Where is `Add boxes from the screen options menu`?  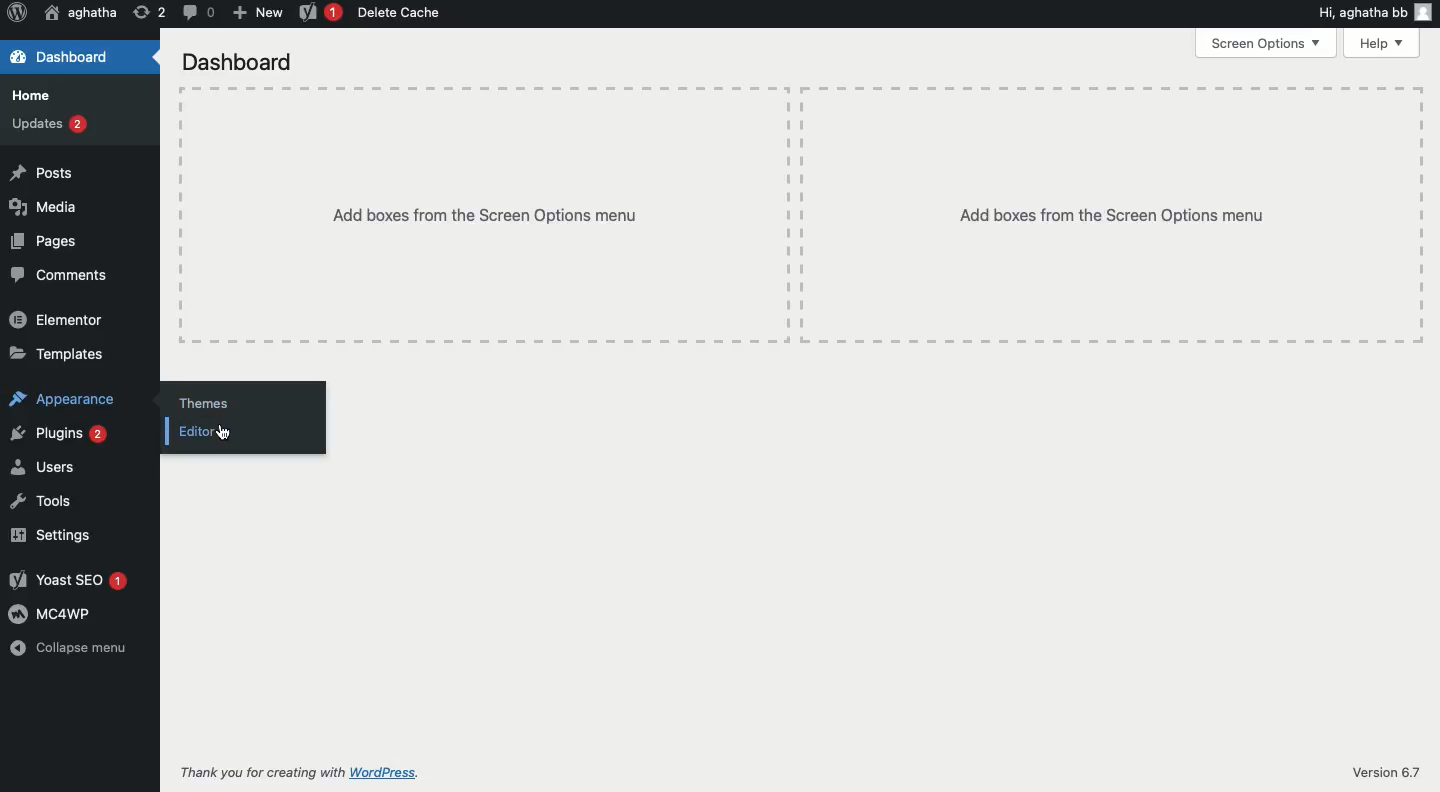
Add boxes from the screen options menu is located at coordinates (1113, 216).